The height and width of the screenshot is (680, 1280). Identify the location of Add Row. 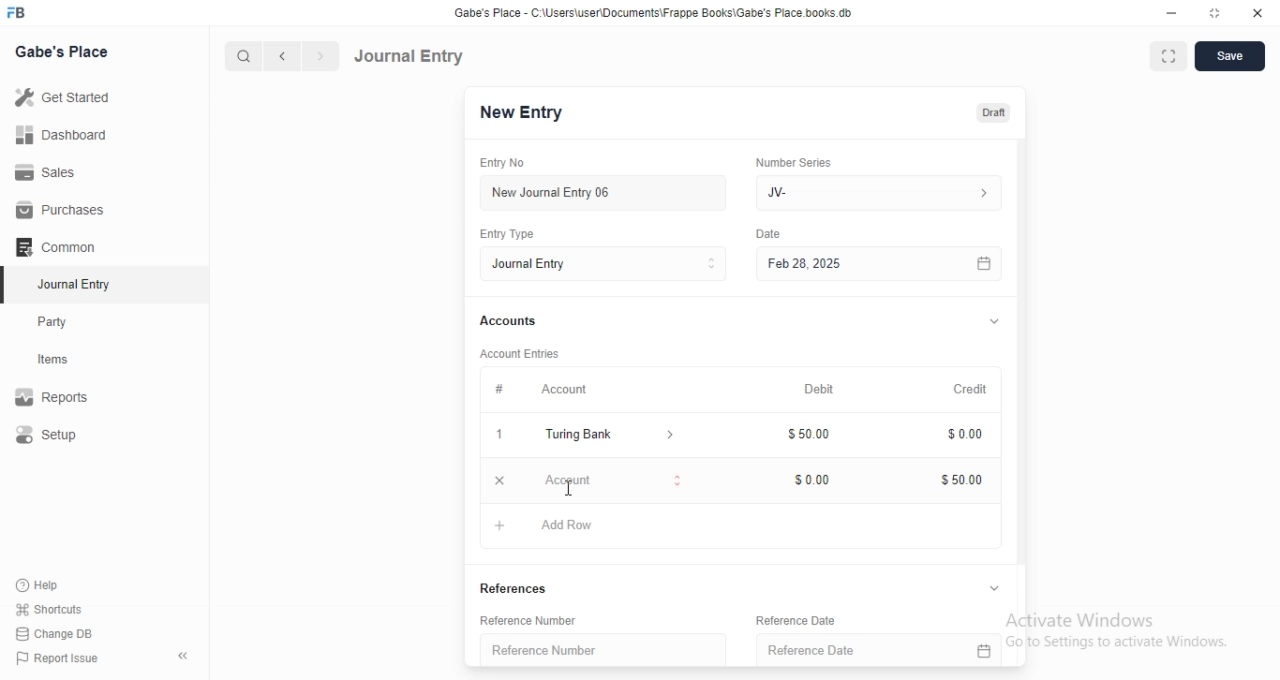
(543, 525).